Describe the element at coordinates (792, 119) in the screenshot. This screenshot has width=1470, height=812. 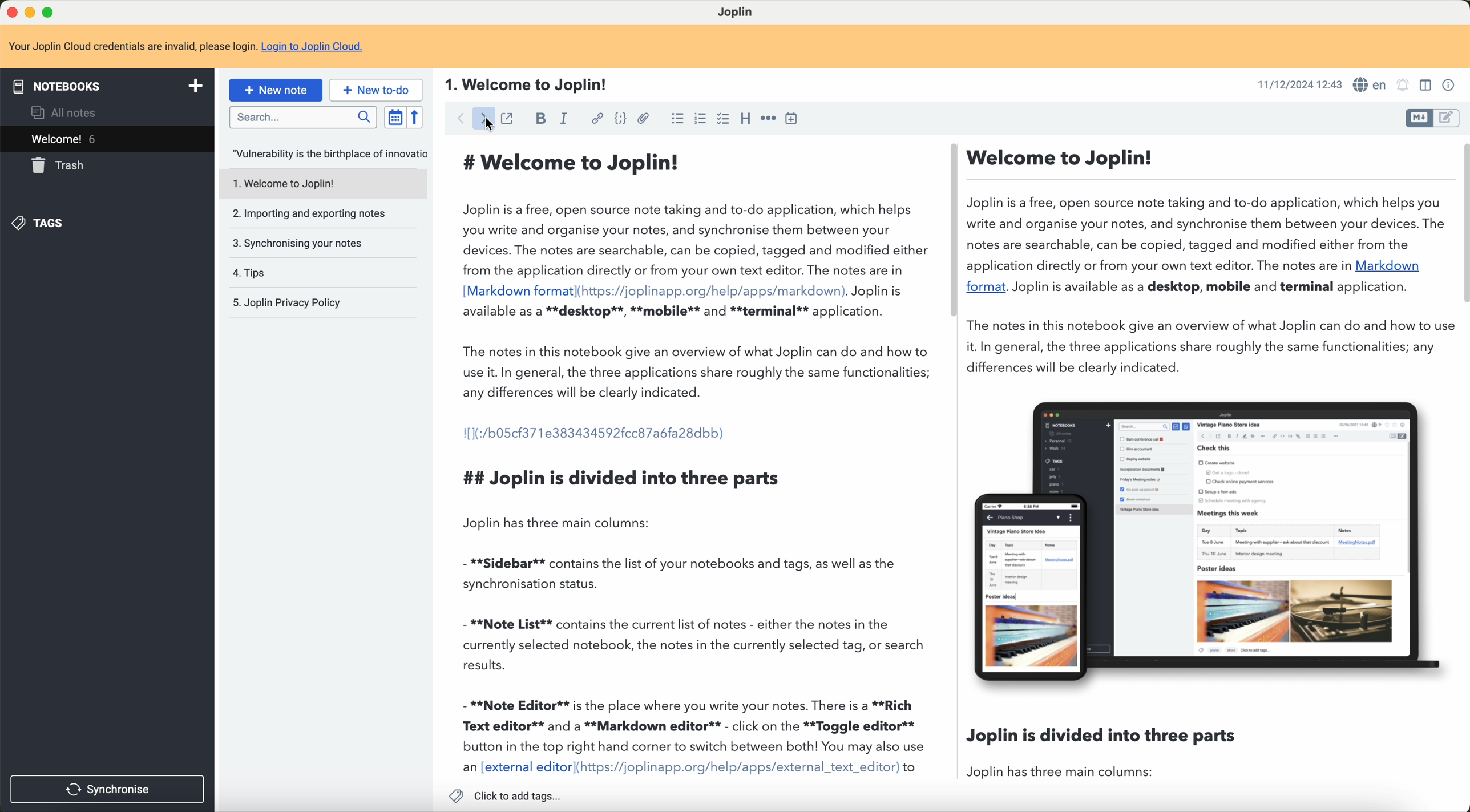
I see `insert time` at that location.